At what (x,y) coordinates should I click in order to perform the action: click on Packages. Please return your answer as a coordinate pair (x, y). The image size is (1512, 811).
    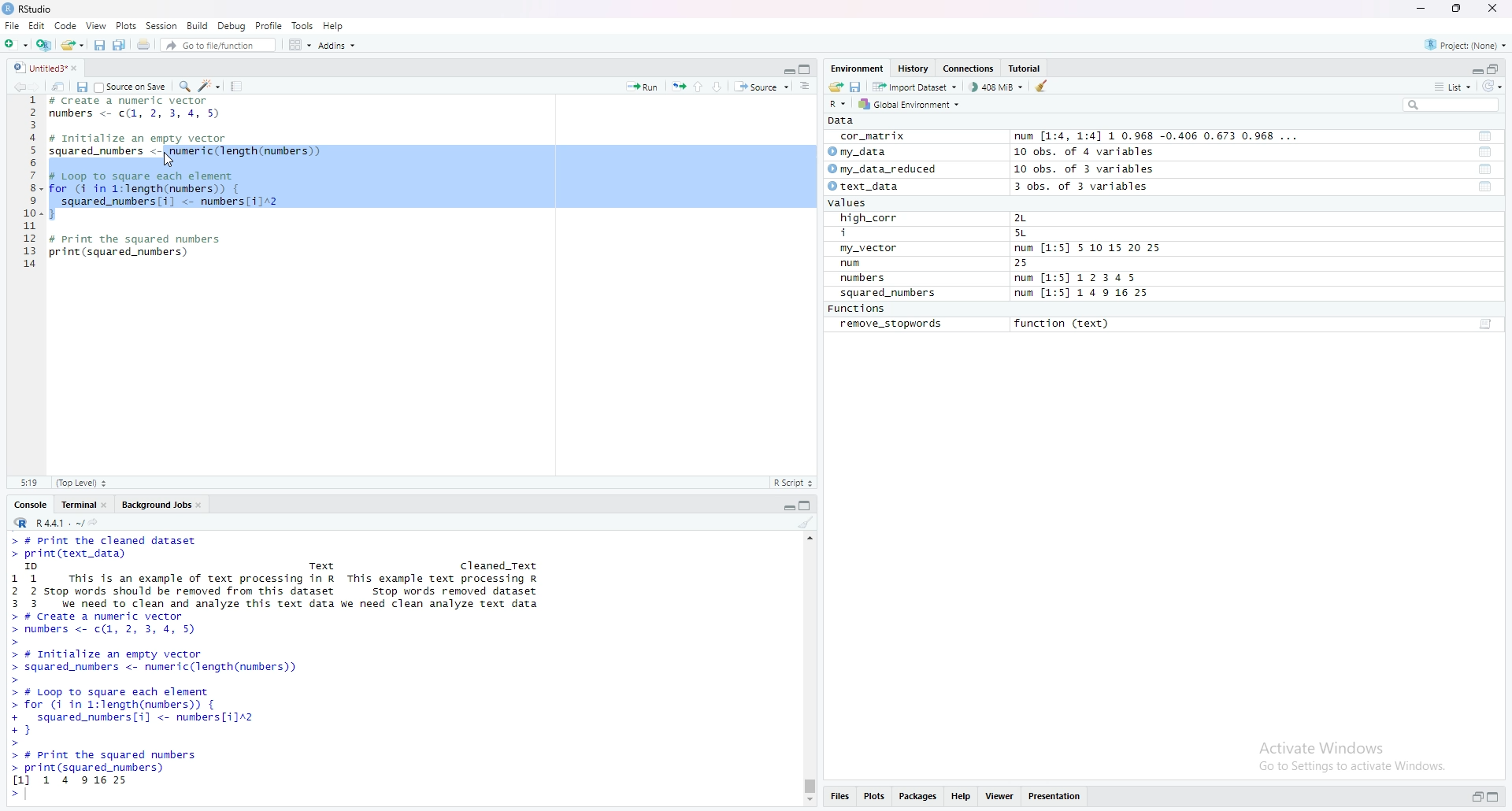
    Looking at the image, I should click on (919, 798).